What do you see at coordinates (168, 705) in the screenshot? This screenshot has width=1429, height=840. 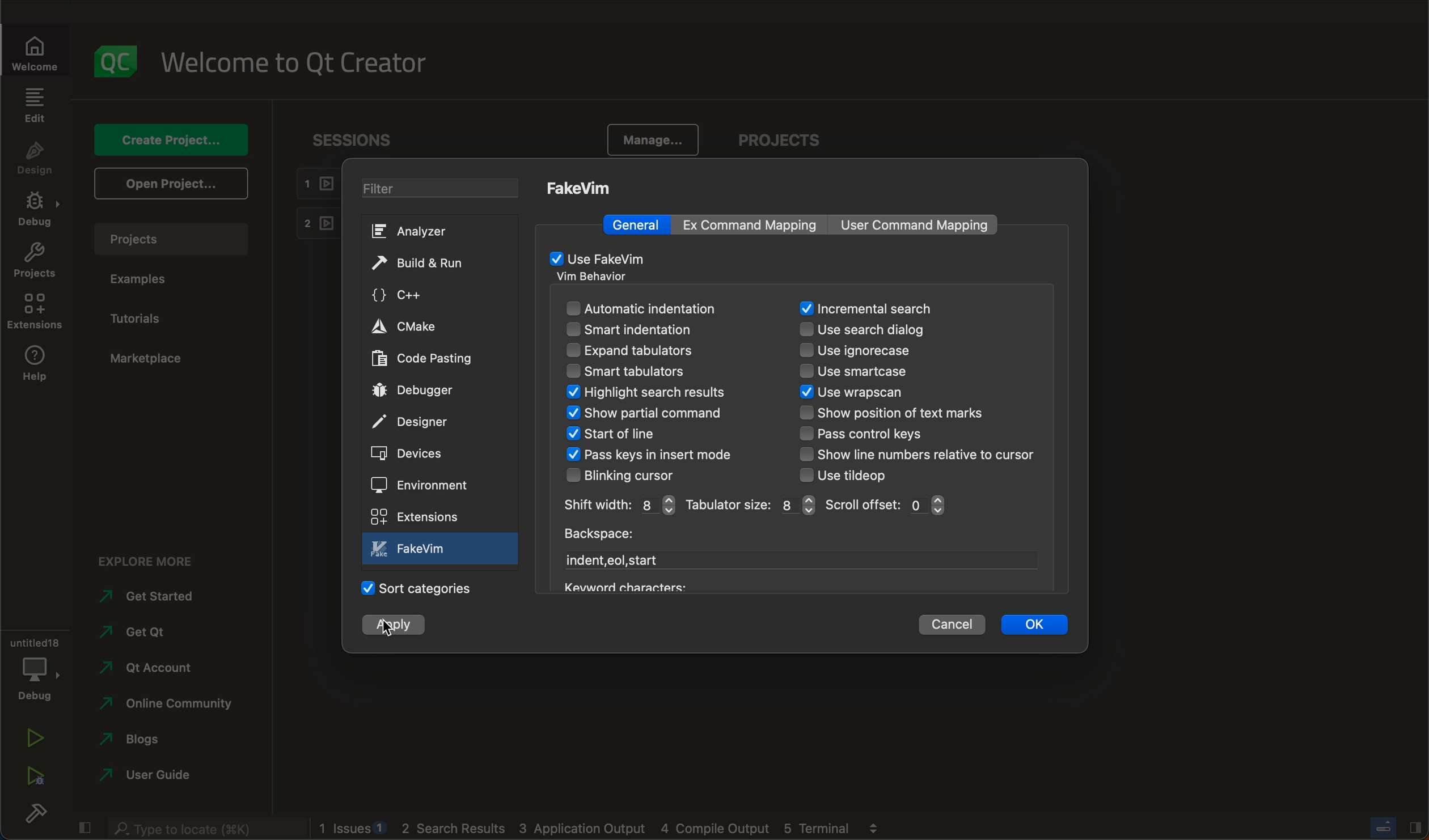 I see `community` at bounding box center [168, 705].